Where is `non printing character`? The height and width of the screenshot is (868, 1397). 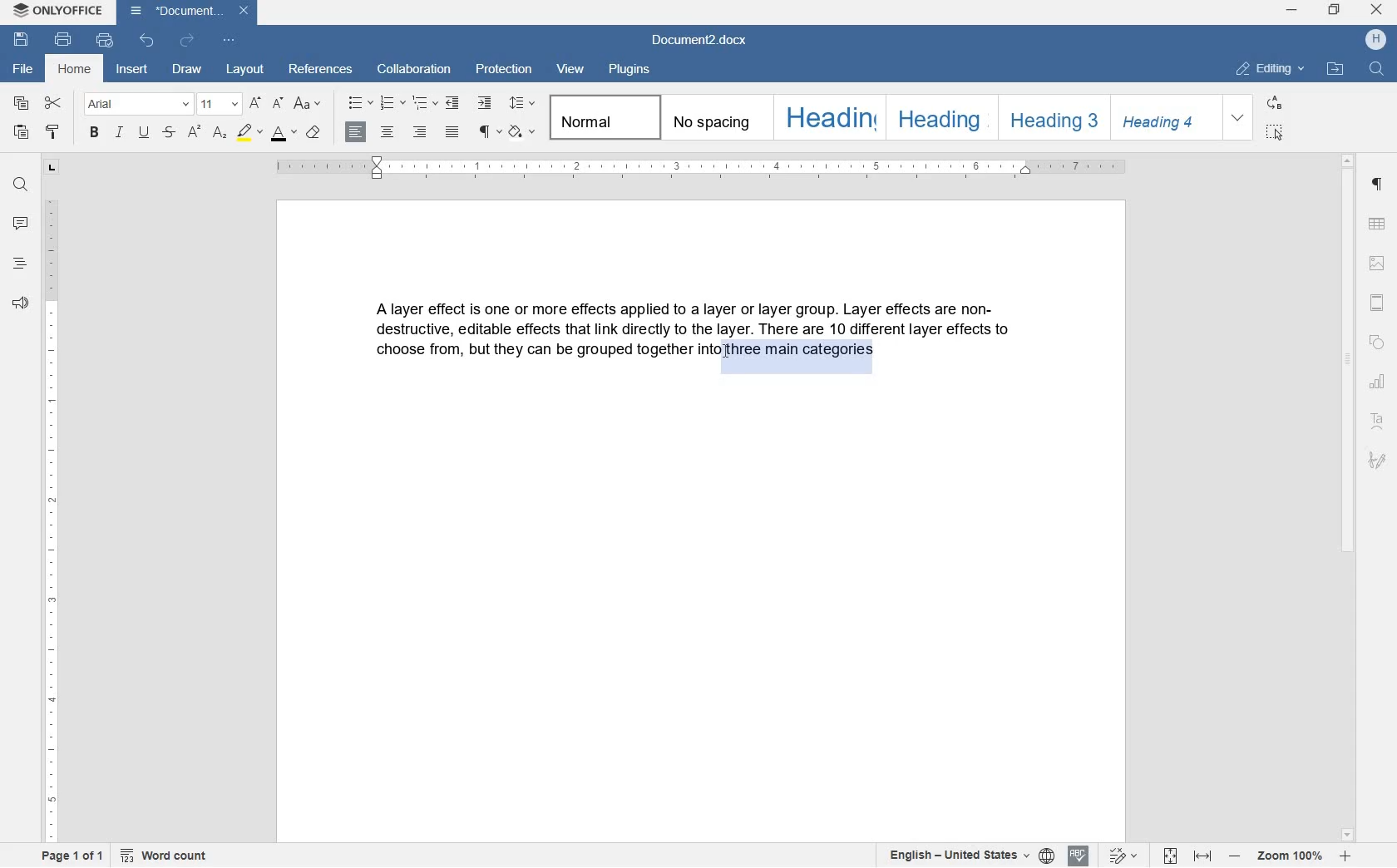 non printing character is located at coordinates (486, 130).